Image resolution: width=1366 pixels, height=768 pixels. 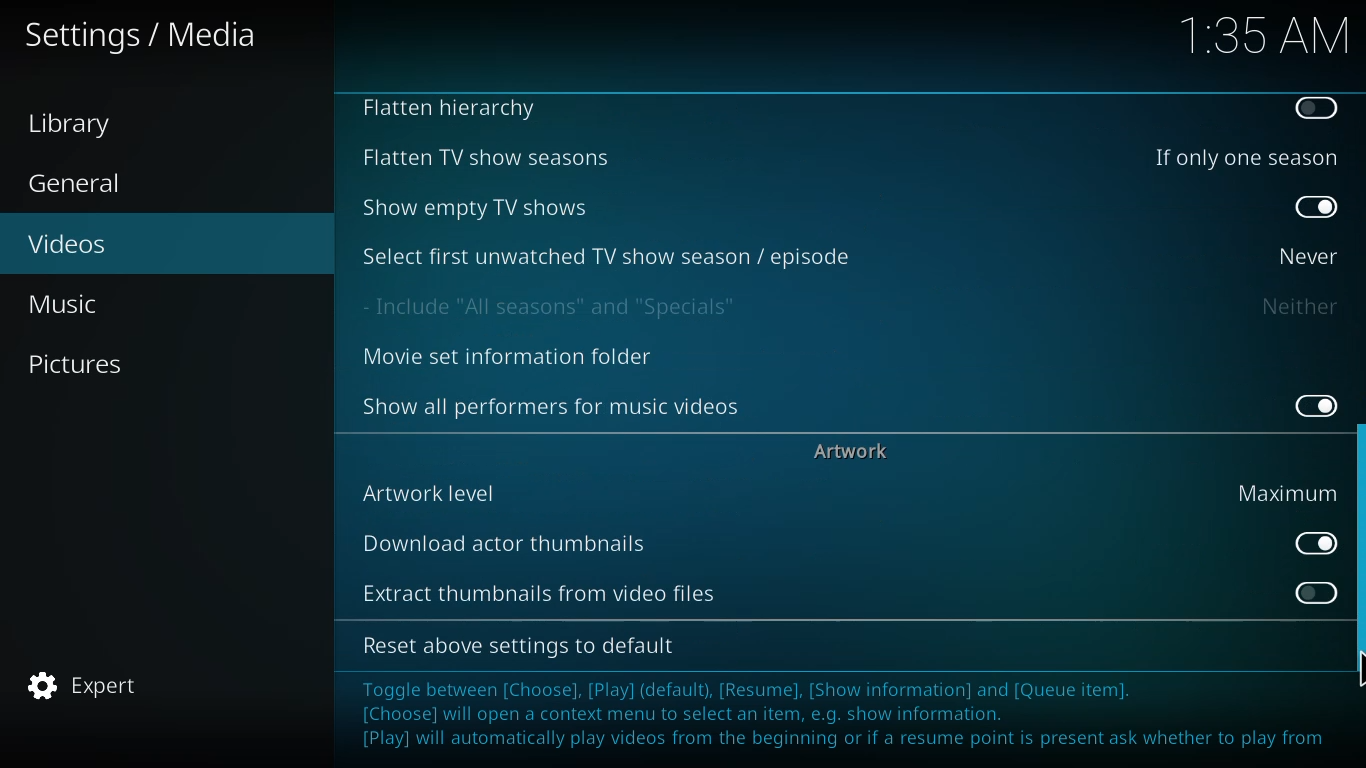 What do you see at coordinates (1309, 542) in the screenshot?
I see `enabled` at bounding box center [1309, 542].